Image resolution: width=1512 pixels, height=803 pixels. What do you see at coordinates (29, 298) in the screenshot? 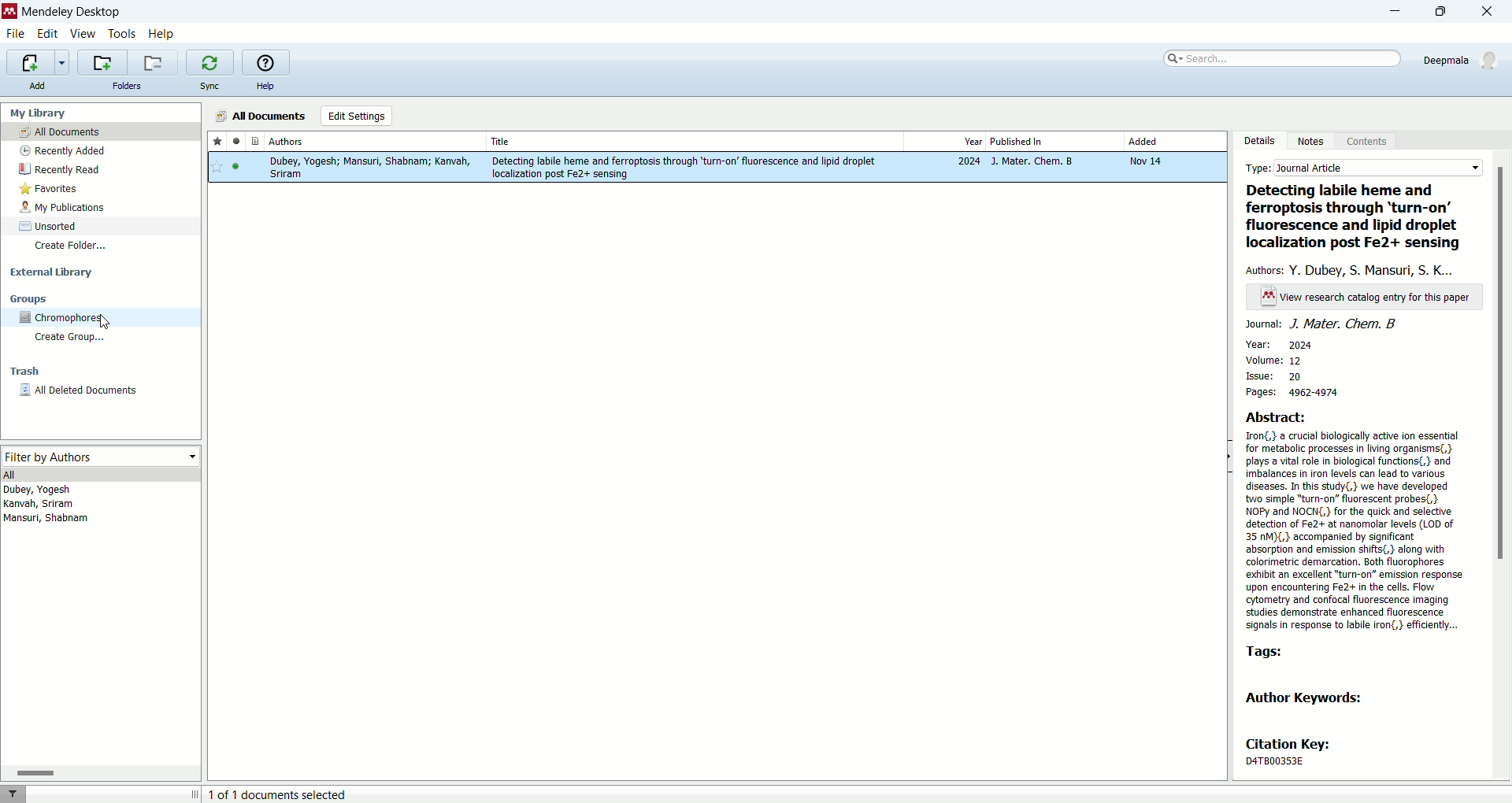
I see `groups` at bounding box center [29, 298].